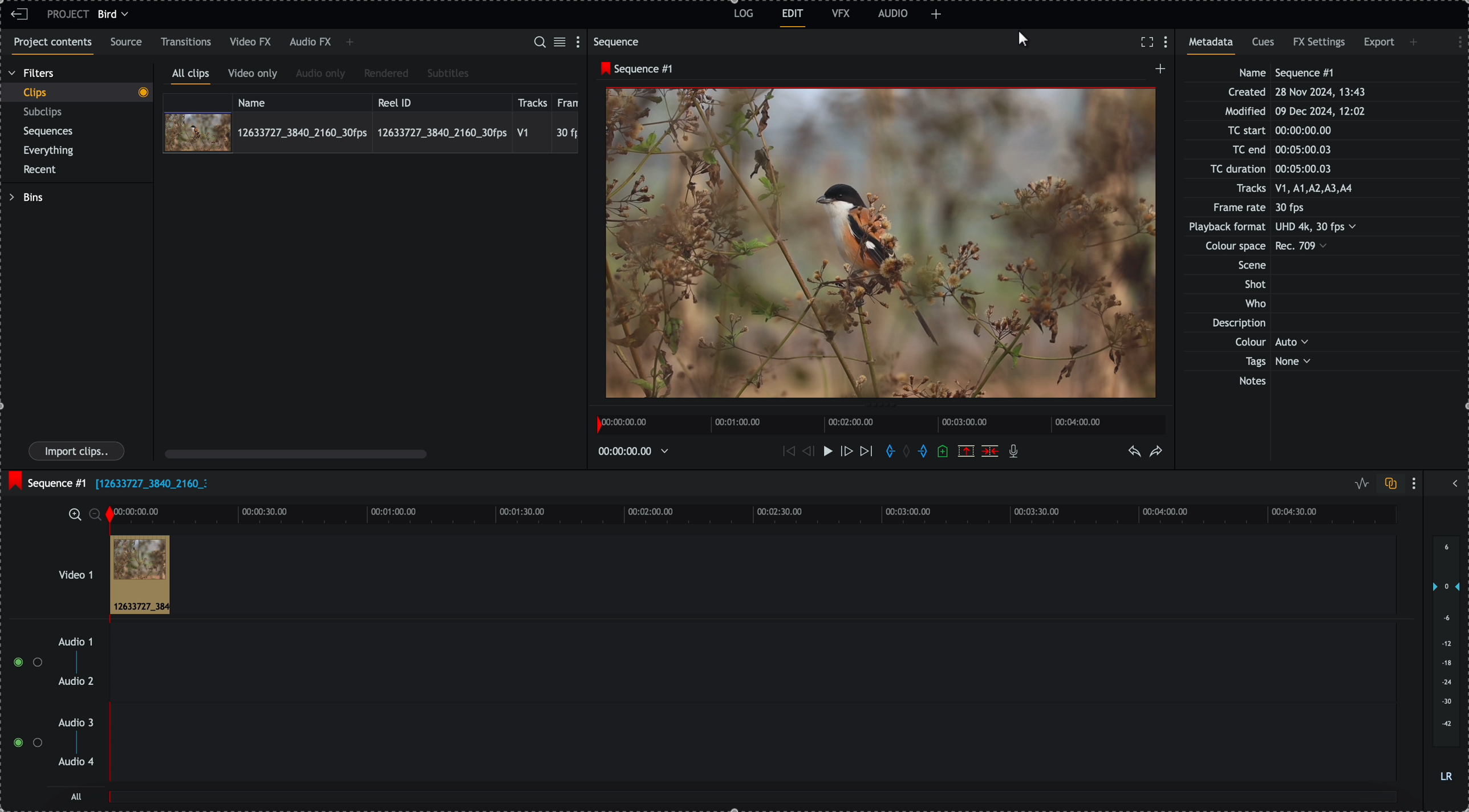 Image resolution: width=1469 pixels, height=812 pixels. What do you see at coordinates (539, 43) in the screenshot?
I see `search for assets or bins` at bounding box center [539, 43].